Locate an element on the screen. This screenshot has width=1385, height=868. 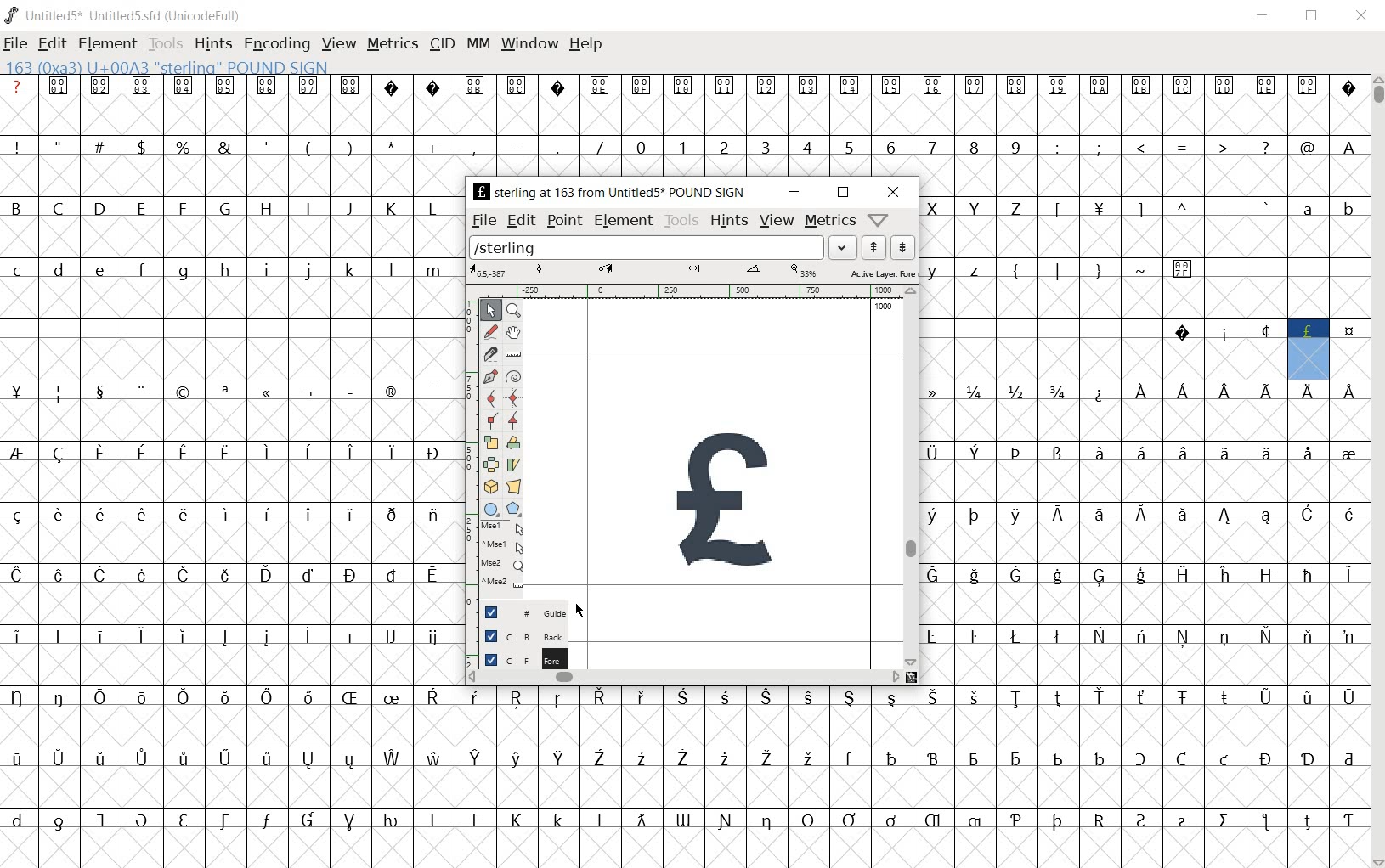
L is located at coordinates (432, 208).